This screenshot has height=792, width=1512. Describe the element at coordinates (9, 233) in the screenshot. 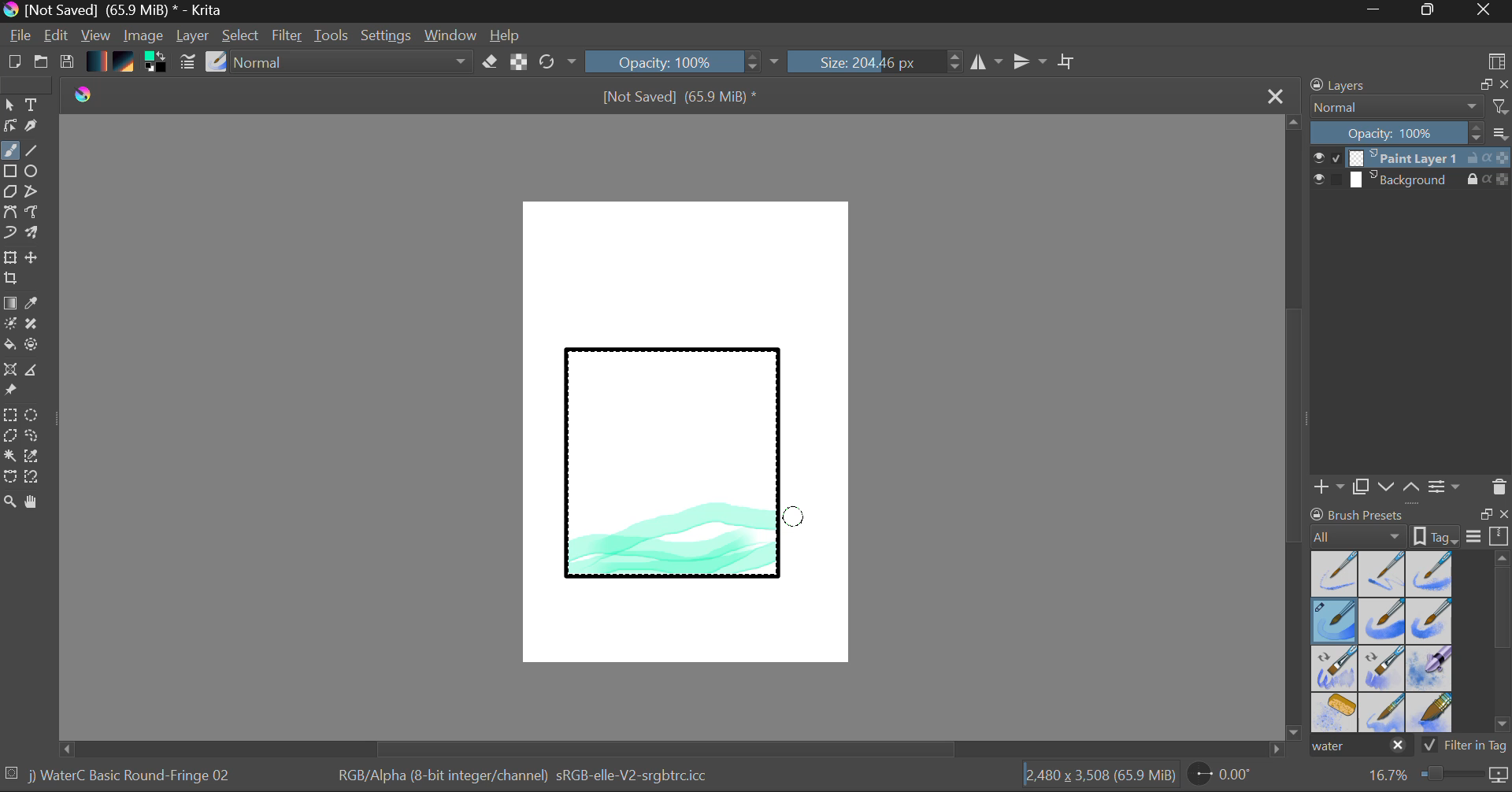

I see `Dynamic Brush` at that location.